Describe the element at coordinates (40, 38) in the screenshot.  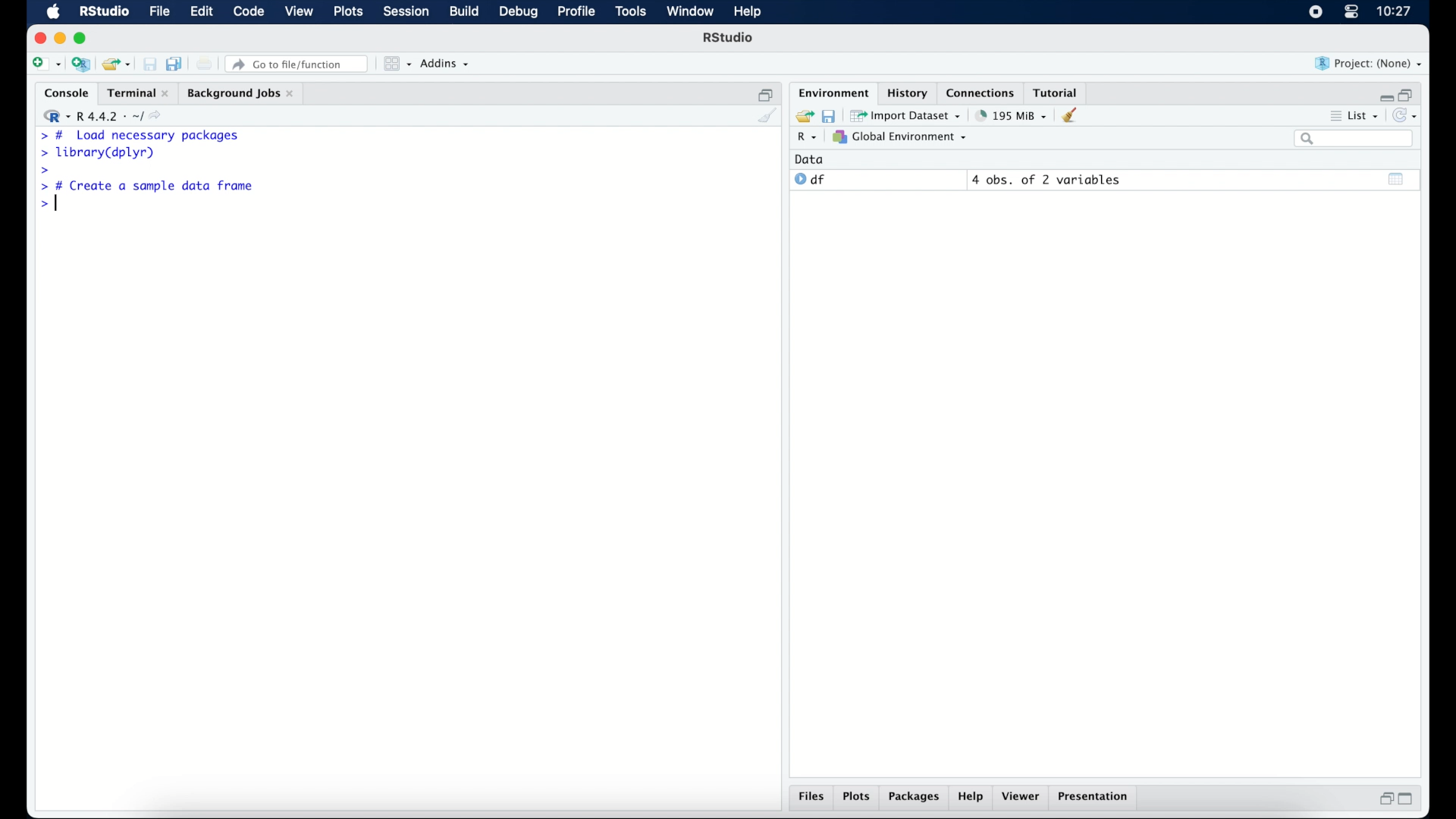
I see `close` at that location.